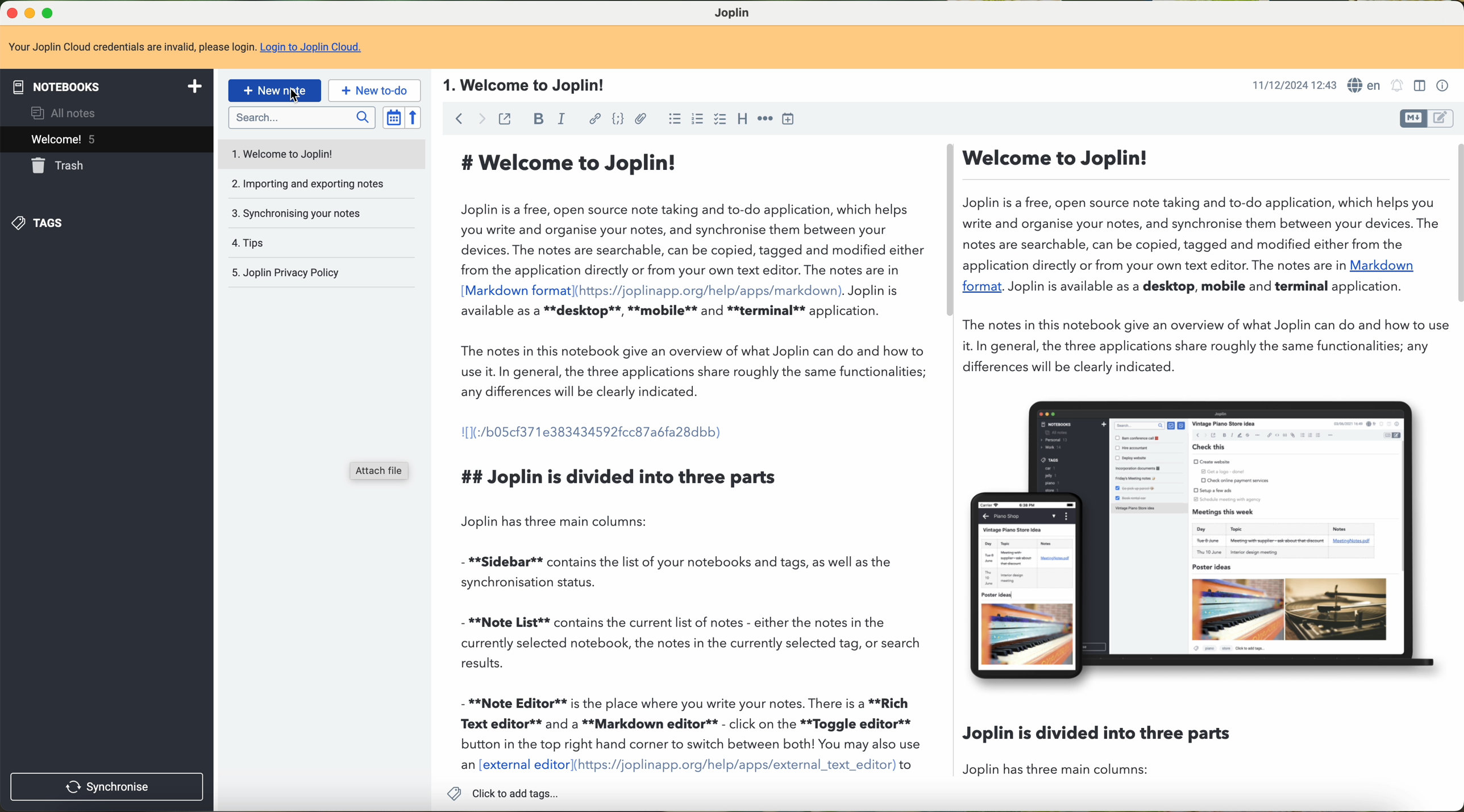 Image resolution: width=1464 pixels, height=812 pixels. What do you see at coordinates (1397, 86) in the screenshot?
I see `set alarm` at bounding box center [1397, 86].